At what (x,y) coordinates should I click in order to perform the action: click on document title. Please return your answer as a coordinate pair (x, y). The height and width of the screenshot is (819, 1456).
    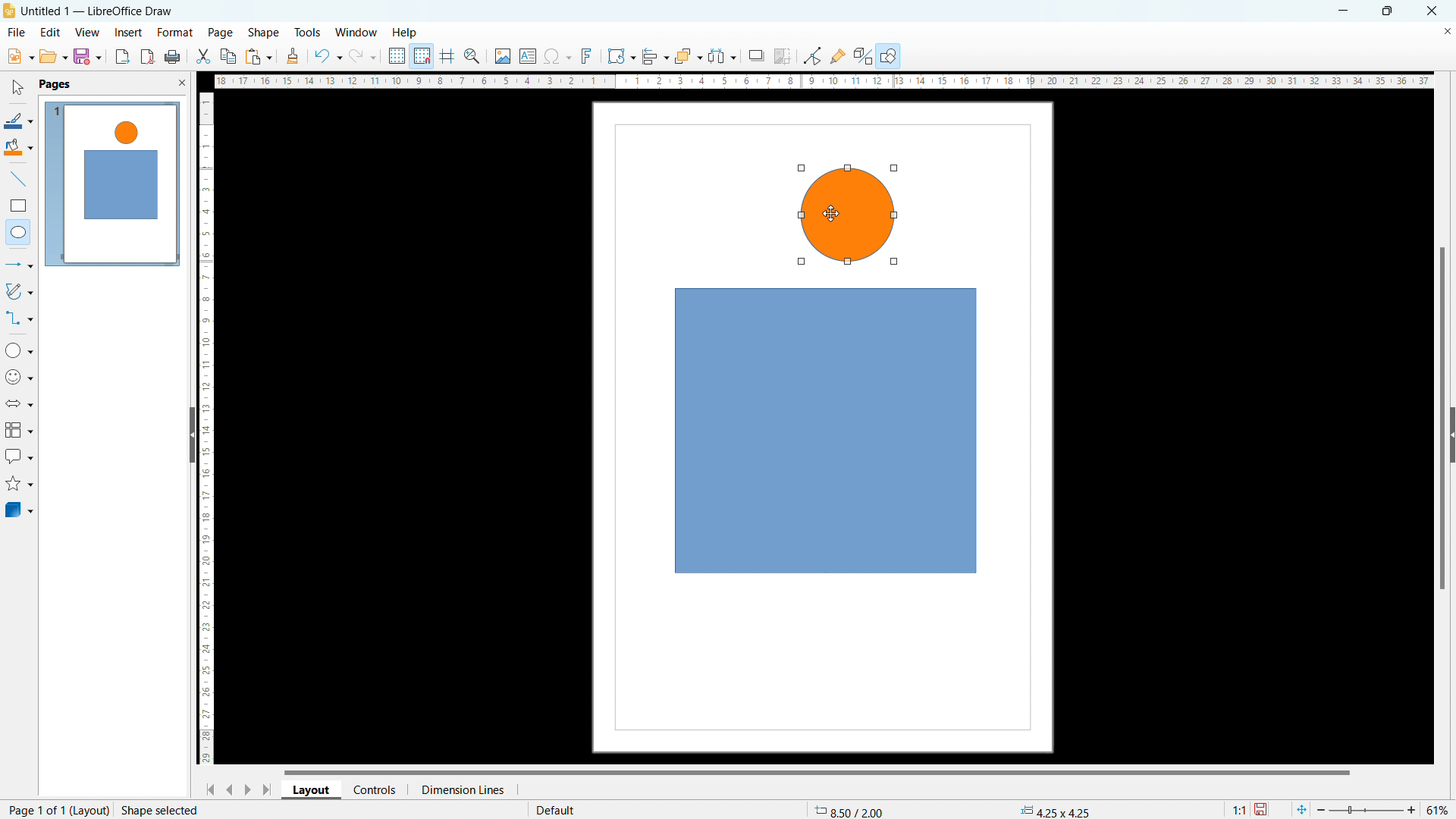
    Looking at the image, I should click on (100, 11).